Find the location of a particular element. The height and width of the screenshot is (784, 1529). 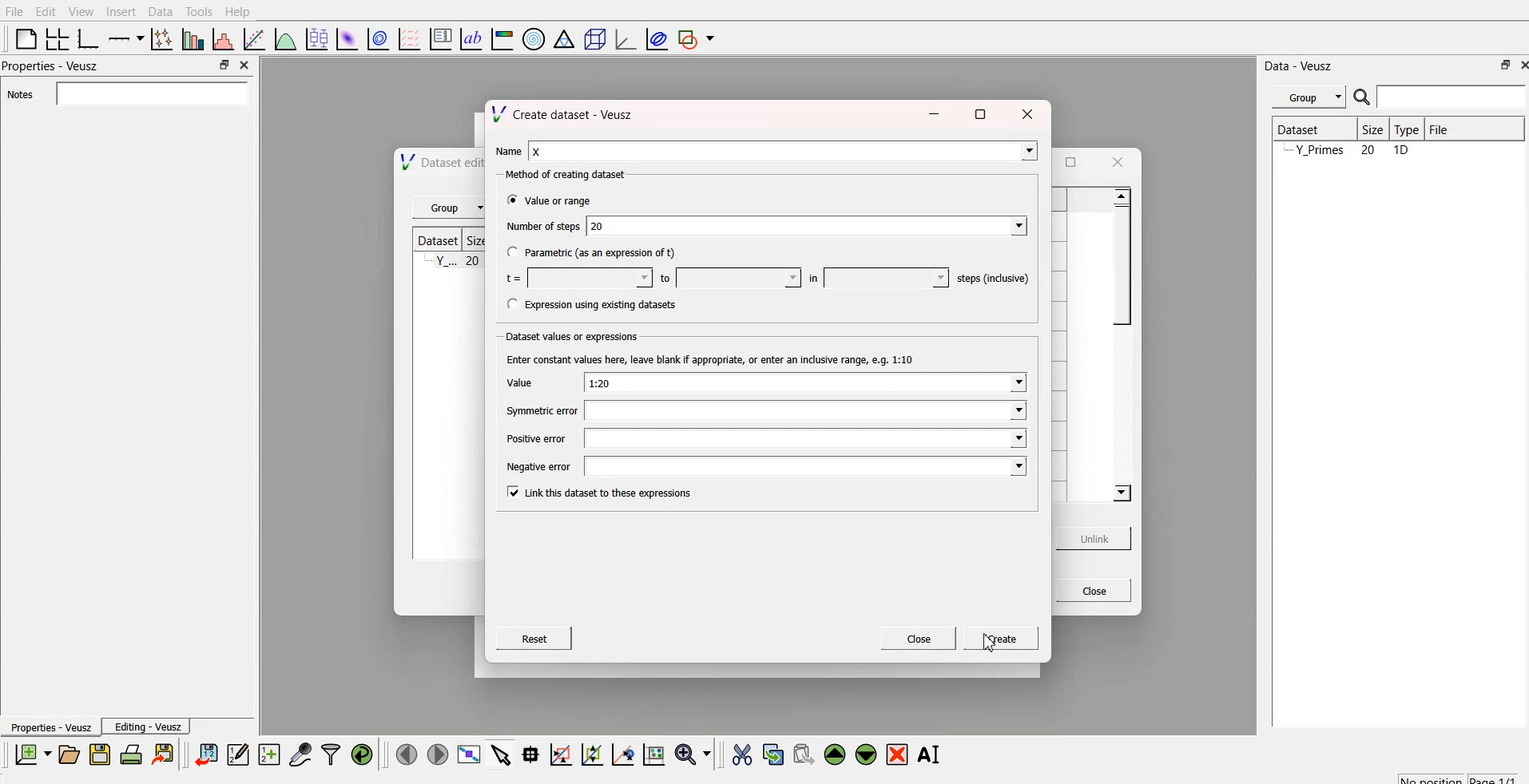

wl] is located at coordinates (872, 278).